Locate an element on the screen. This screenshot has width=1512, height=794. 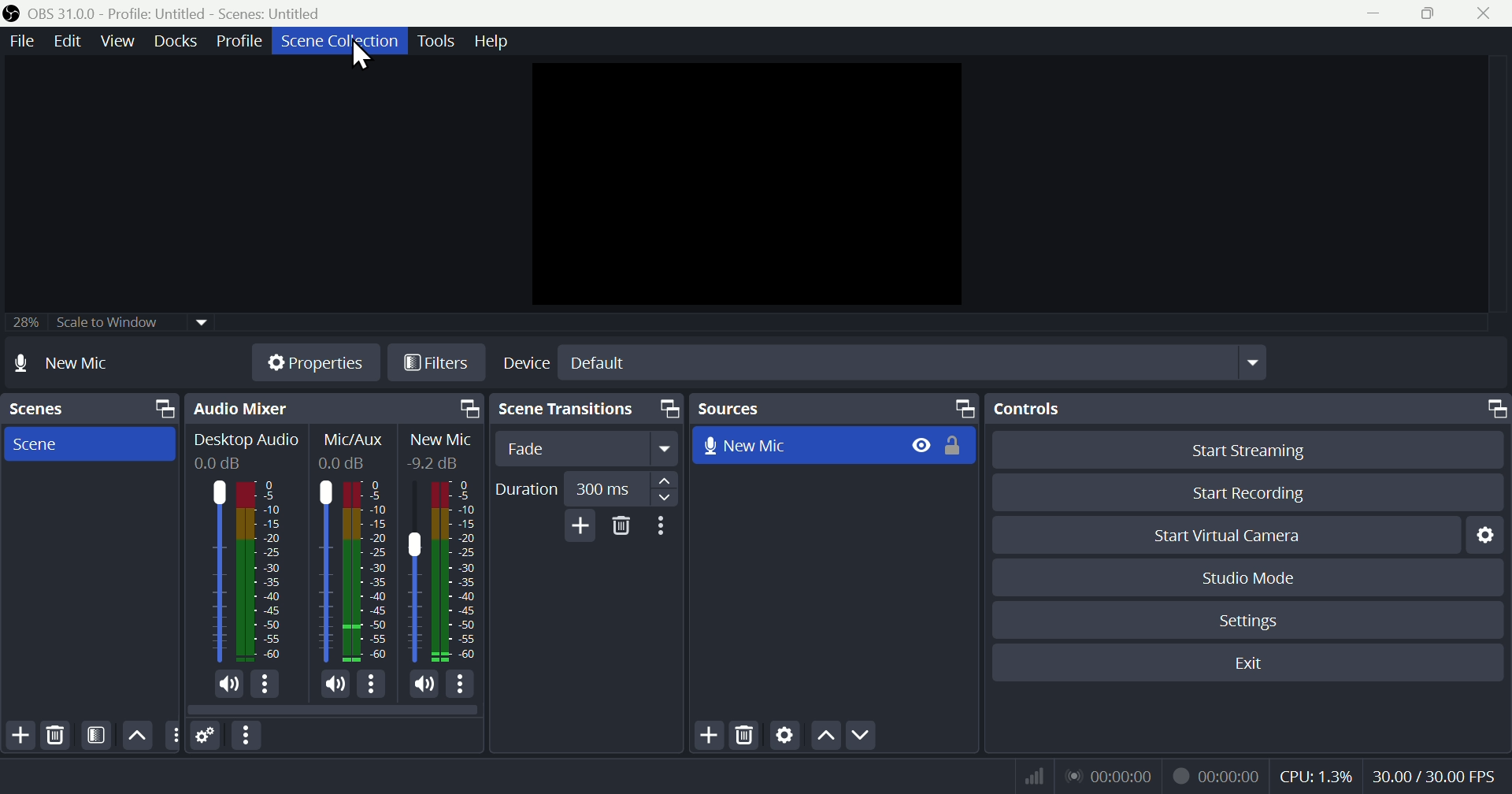
0.0dB is located at coordinates (224, 463).